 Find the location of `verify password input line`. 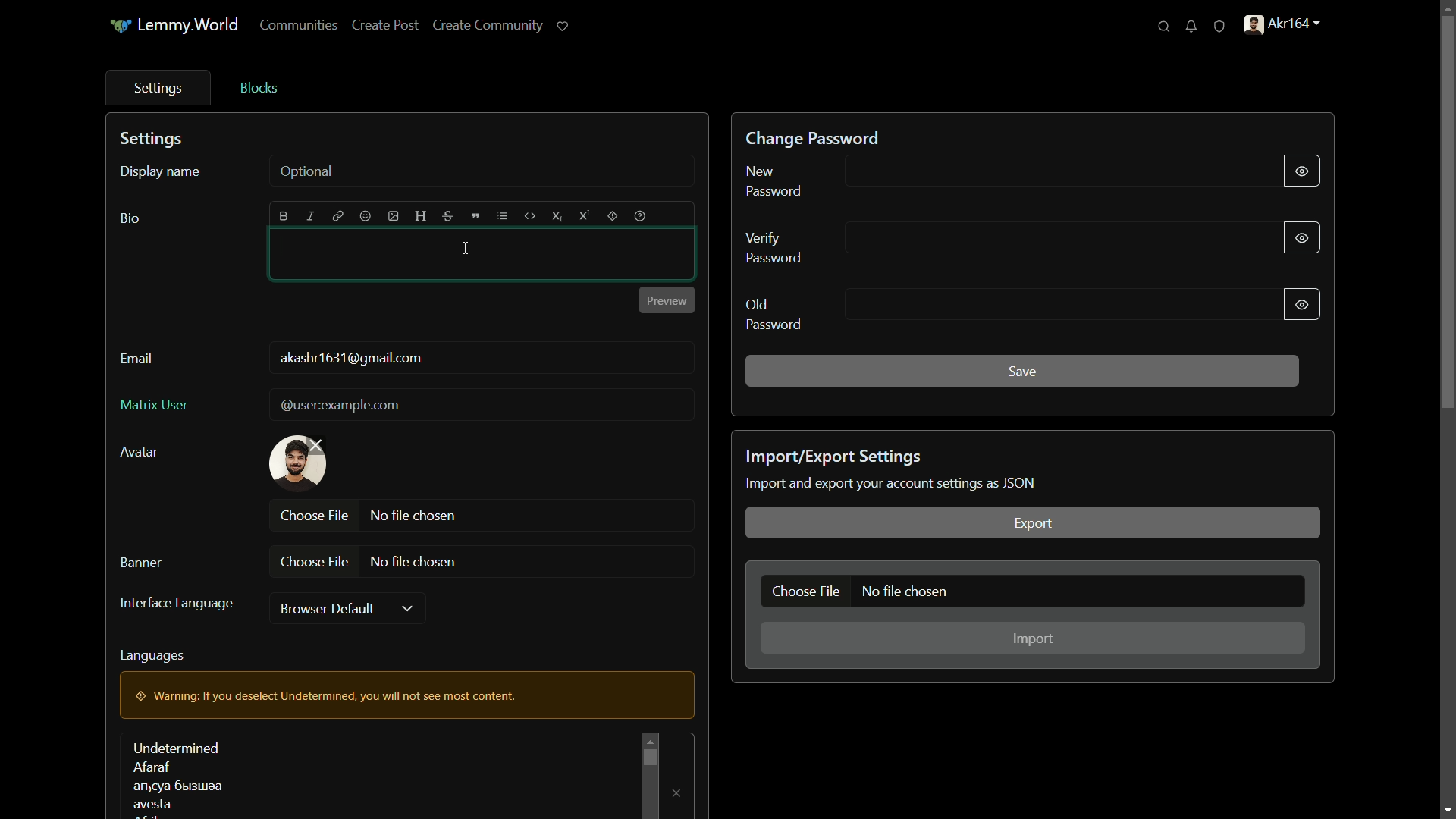

verify password input line is located at coordinates (1062, 238).